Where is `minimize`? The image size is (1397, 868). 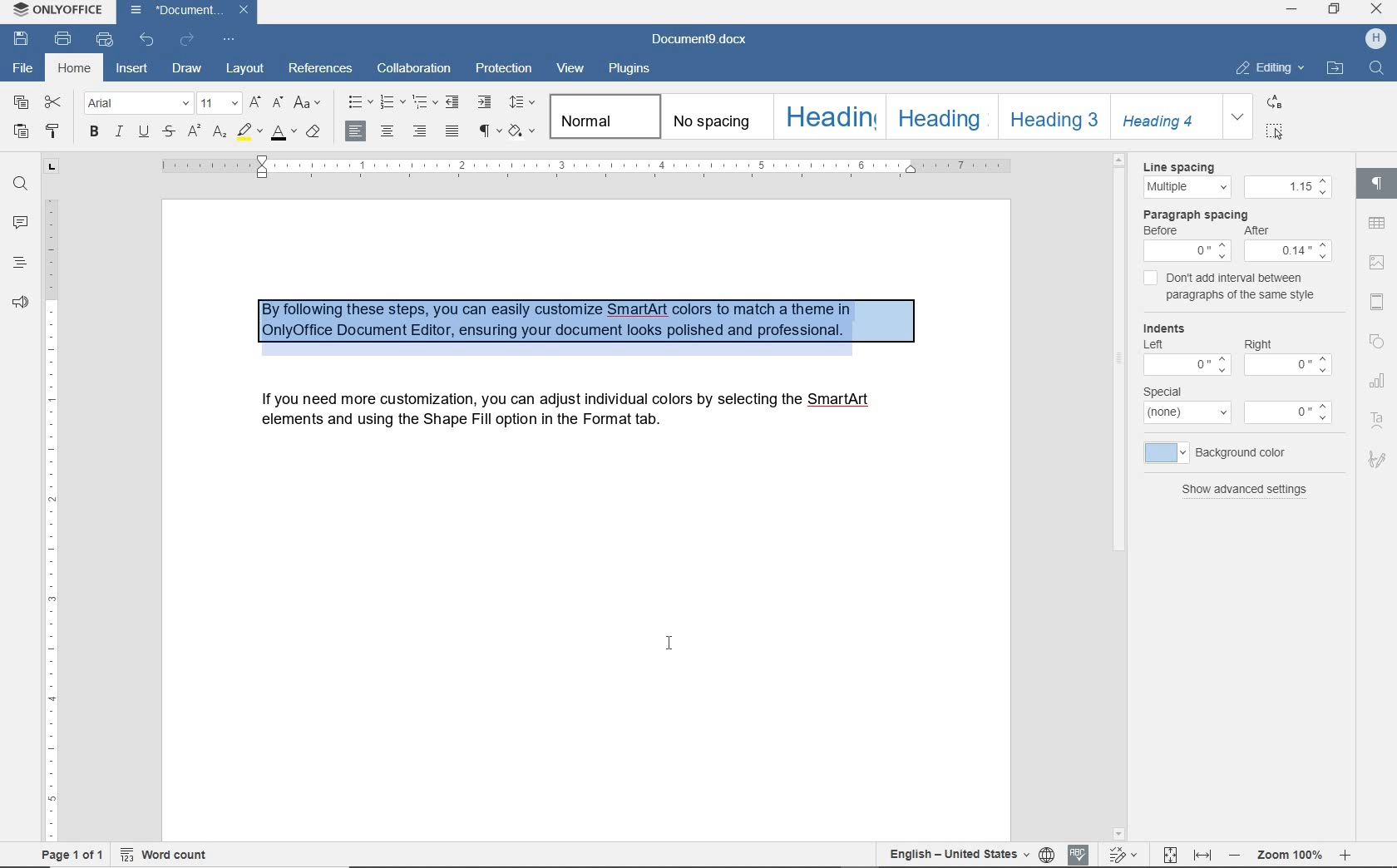
minimize is located at coordinates (1293, 8).